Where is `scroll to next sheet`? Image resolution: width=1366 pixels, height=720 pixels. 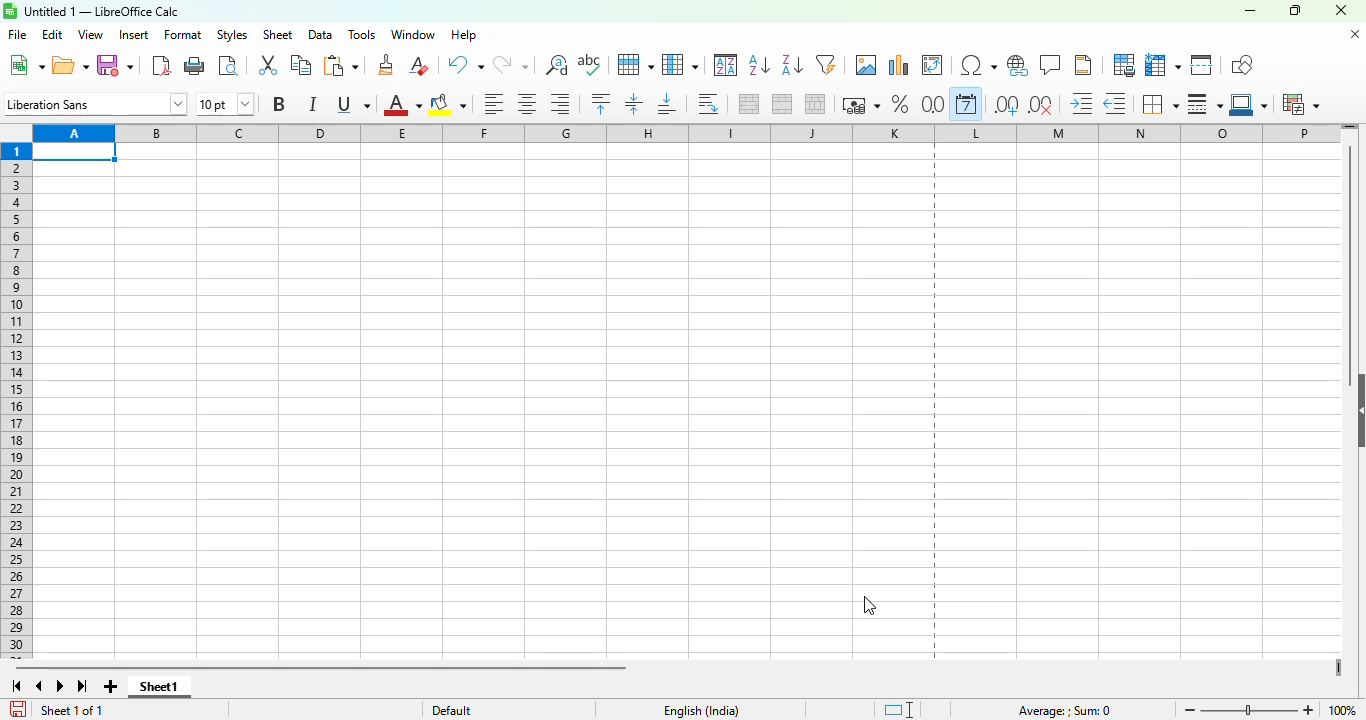
scroll to next sheet is located at coordinates (60, 686).